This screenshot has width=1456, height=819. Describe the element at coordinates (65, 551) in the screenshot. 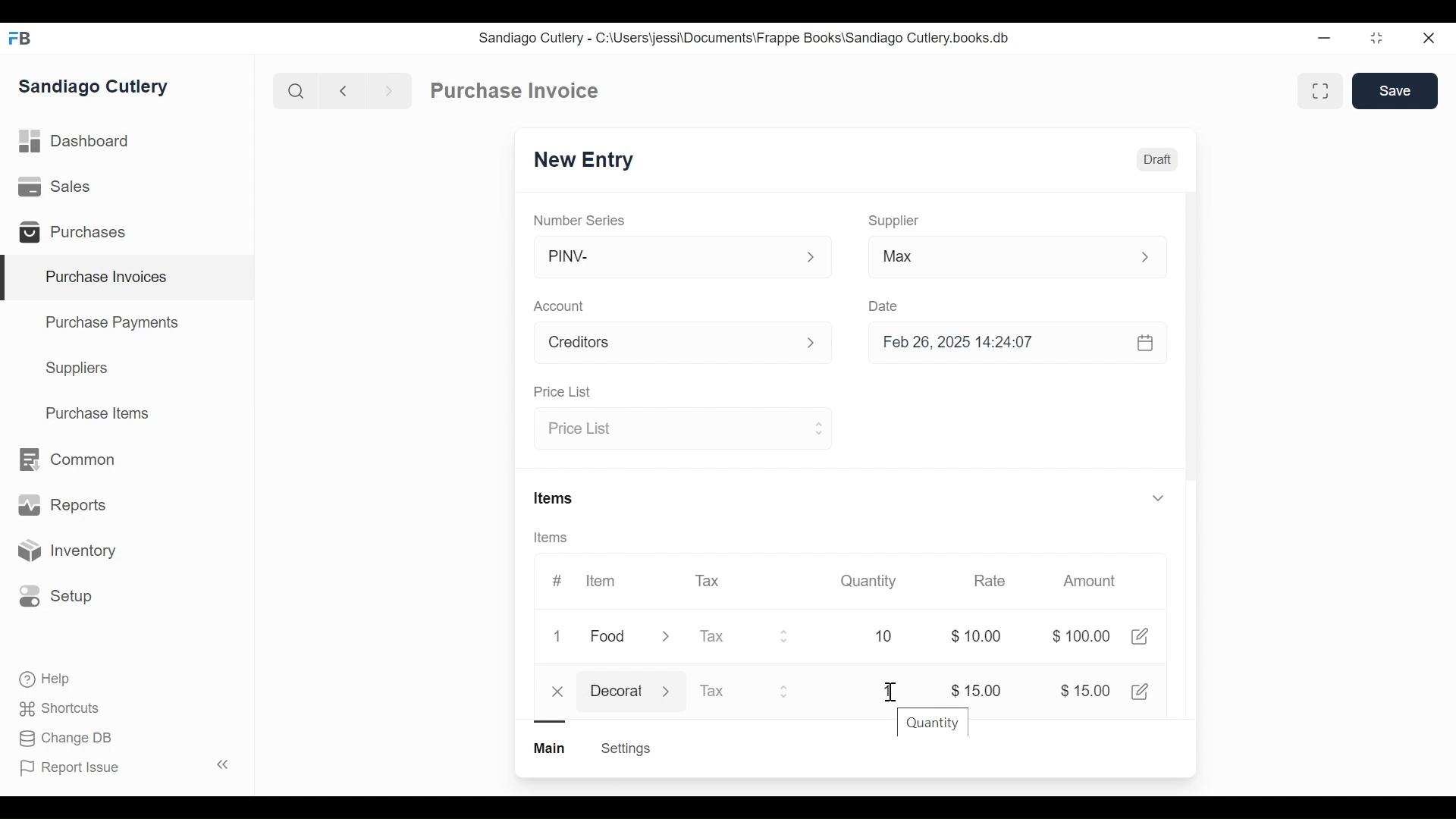

I see `Inventory` at that location.